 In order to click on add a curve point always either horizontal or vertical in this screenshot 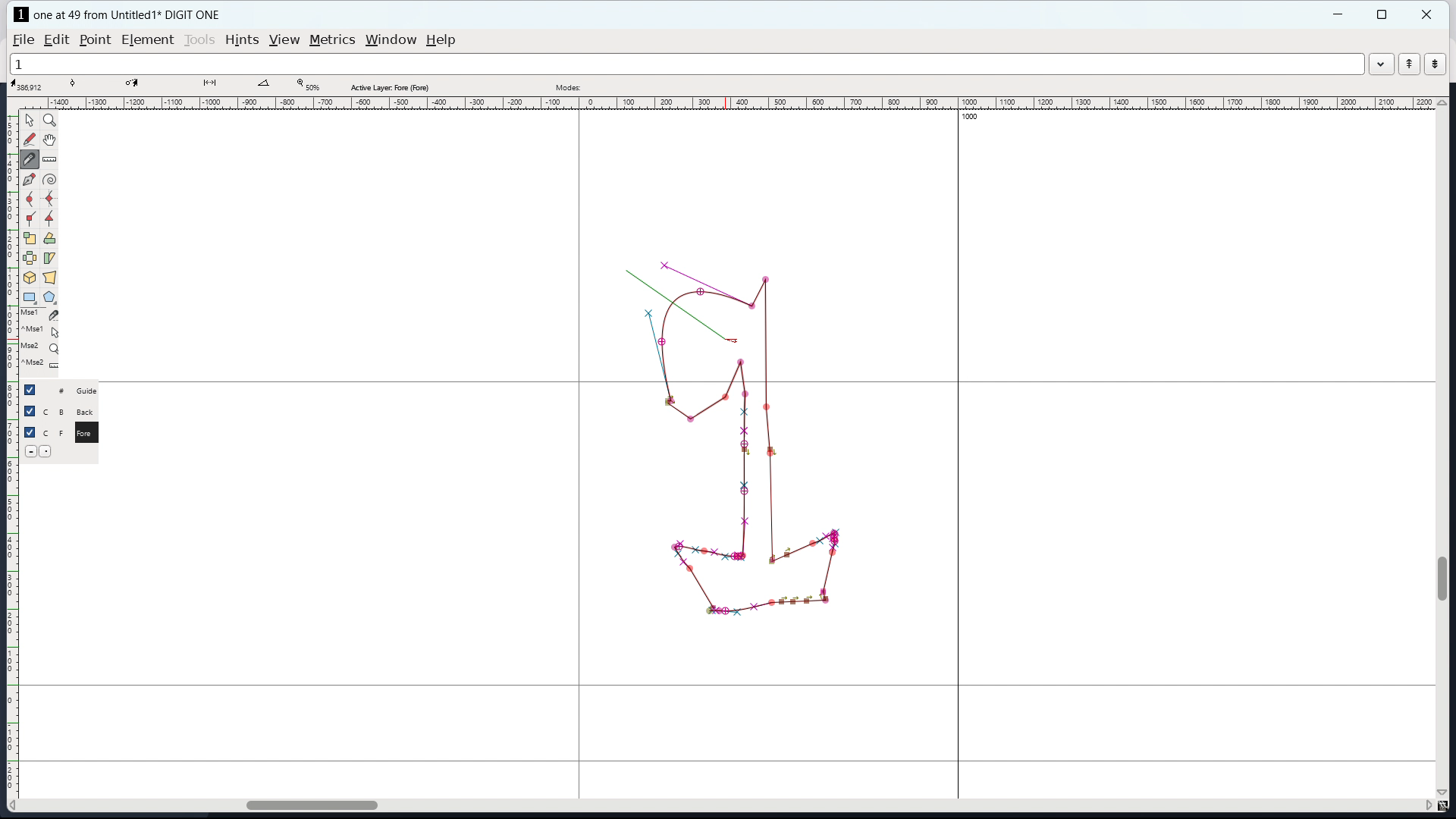, I will do `click(49, 199)`.